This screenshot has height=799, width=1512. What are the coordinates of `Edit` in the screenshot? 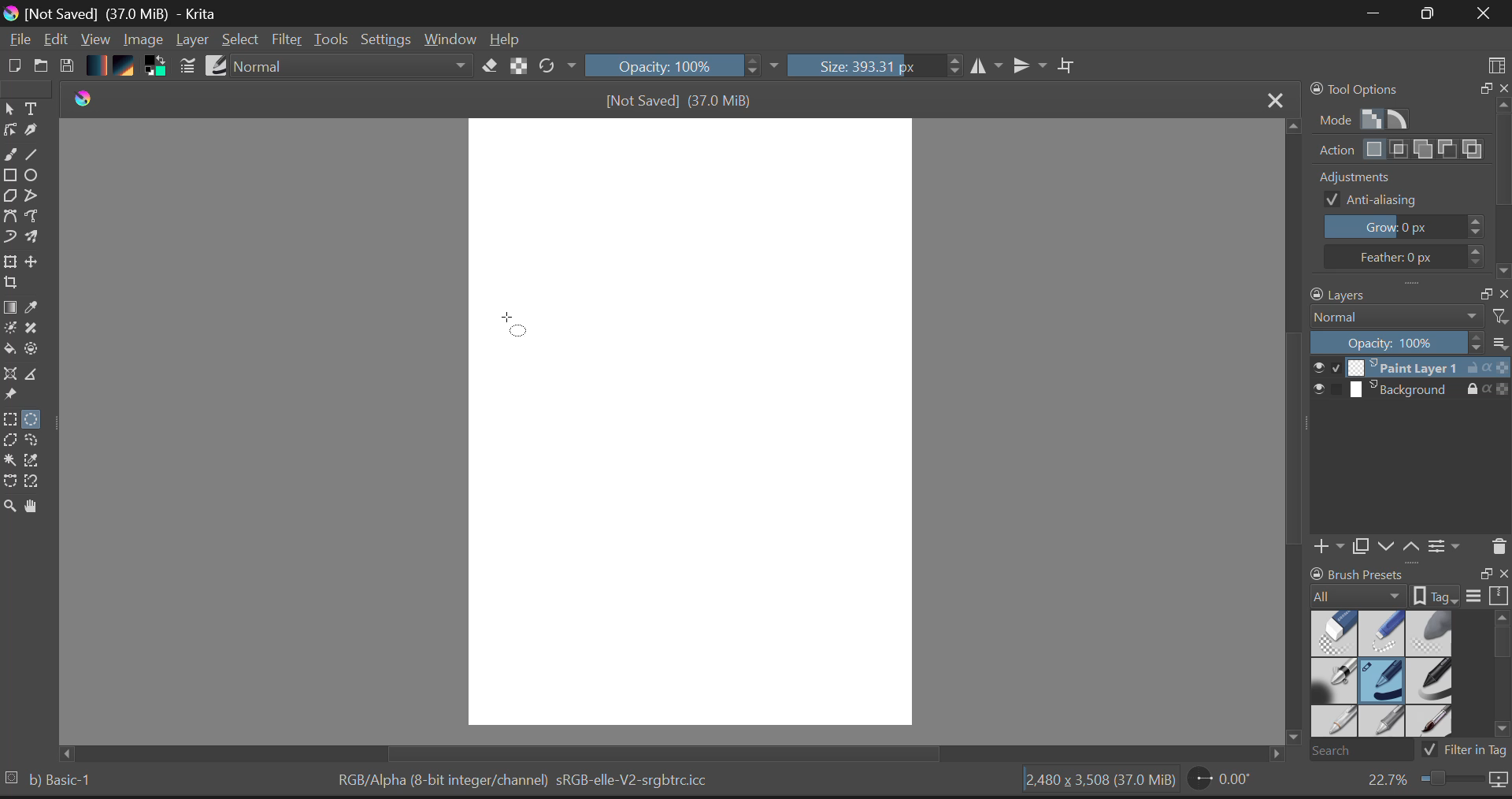 It's located at (57, 40).